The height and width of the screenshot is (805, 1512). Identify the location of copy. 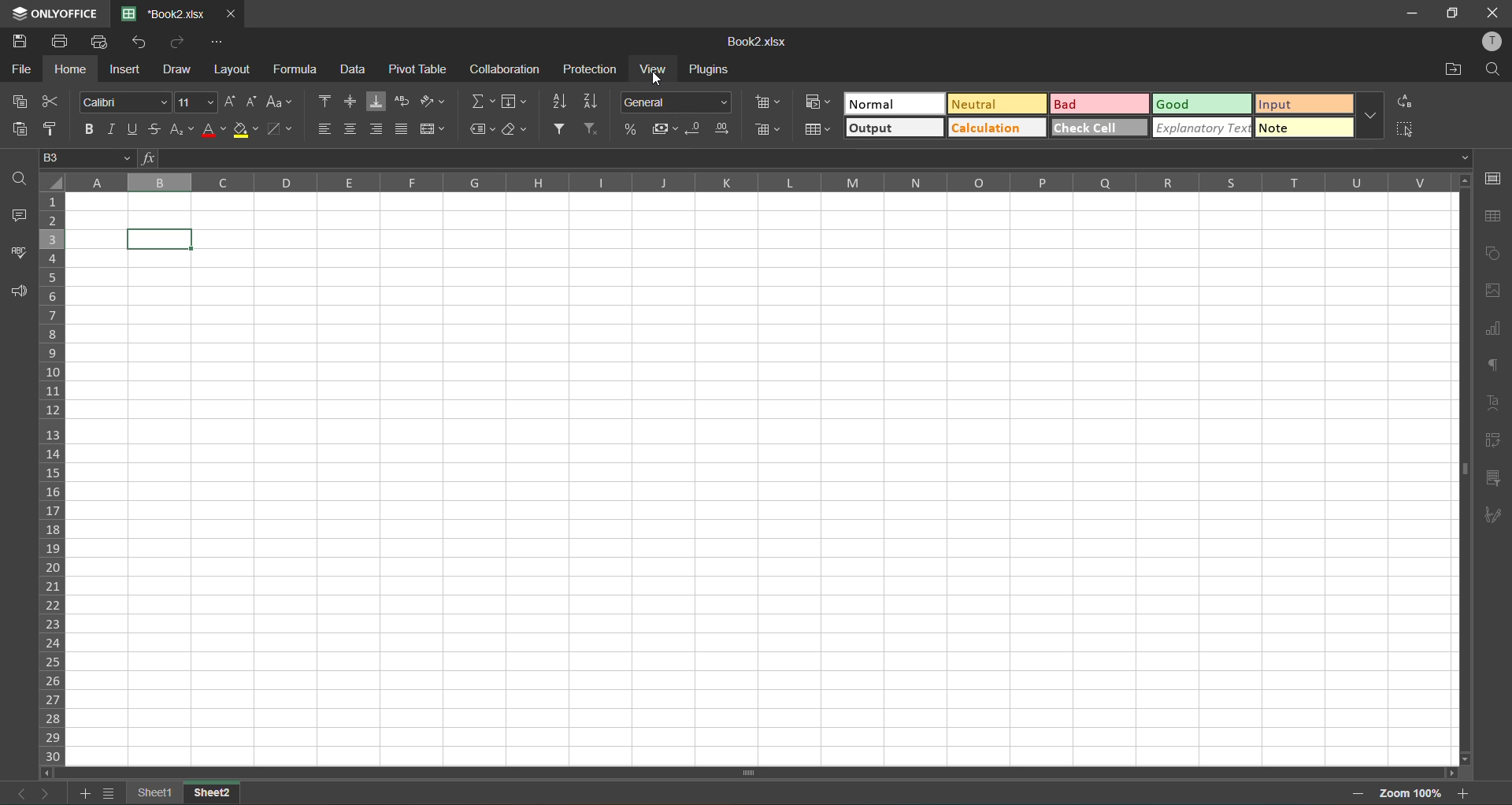
(15, 102).